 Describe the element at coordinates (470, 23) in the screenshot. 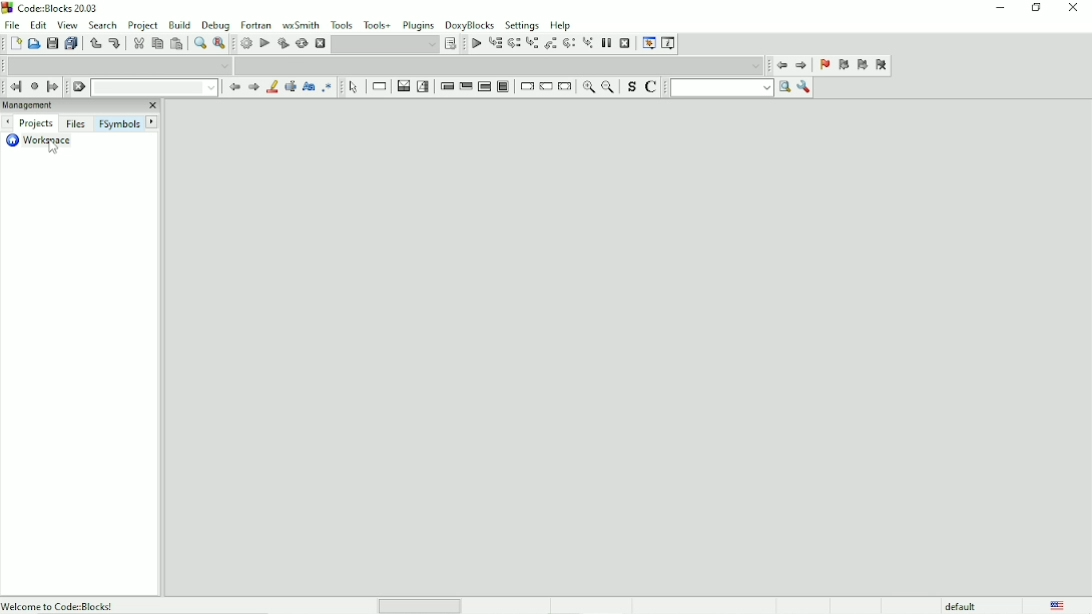

I see `DoxyBlocks` at that location.